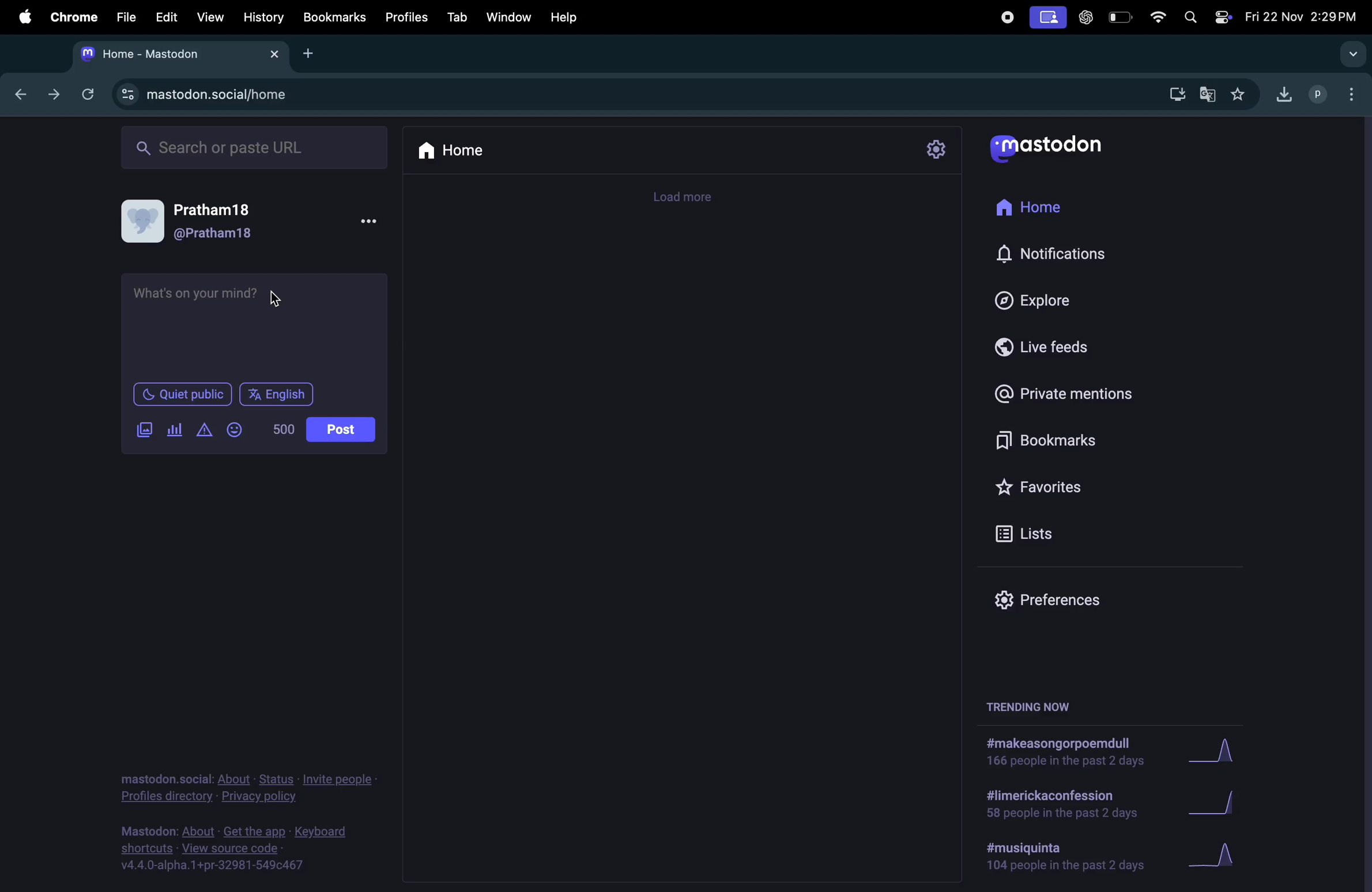 The image size is (1372, 892). I want to click on download, so click(1175, 95).